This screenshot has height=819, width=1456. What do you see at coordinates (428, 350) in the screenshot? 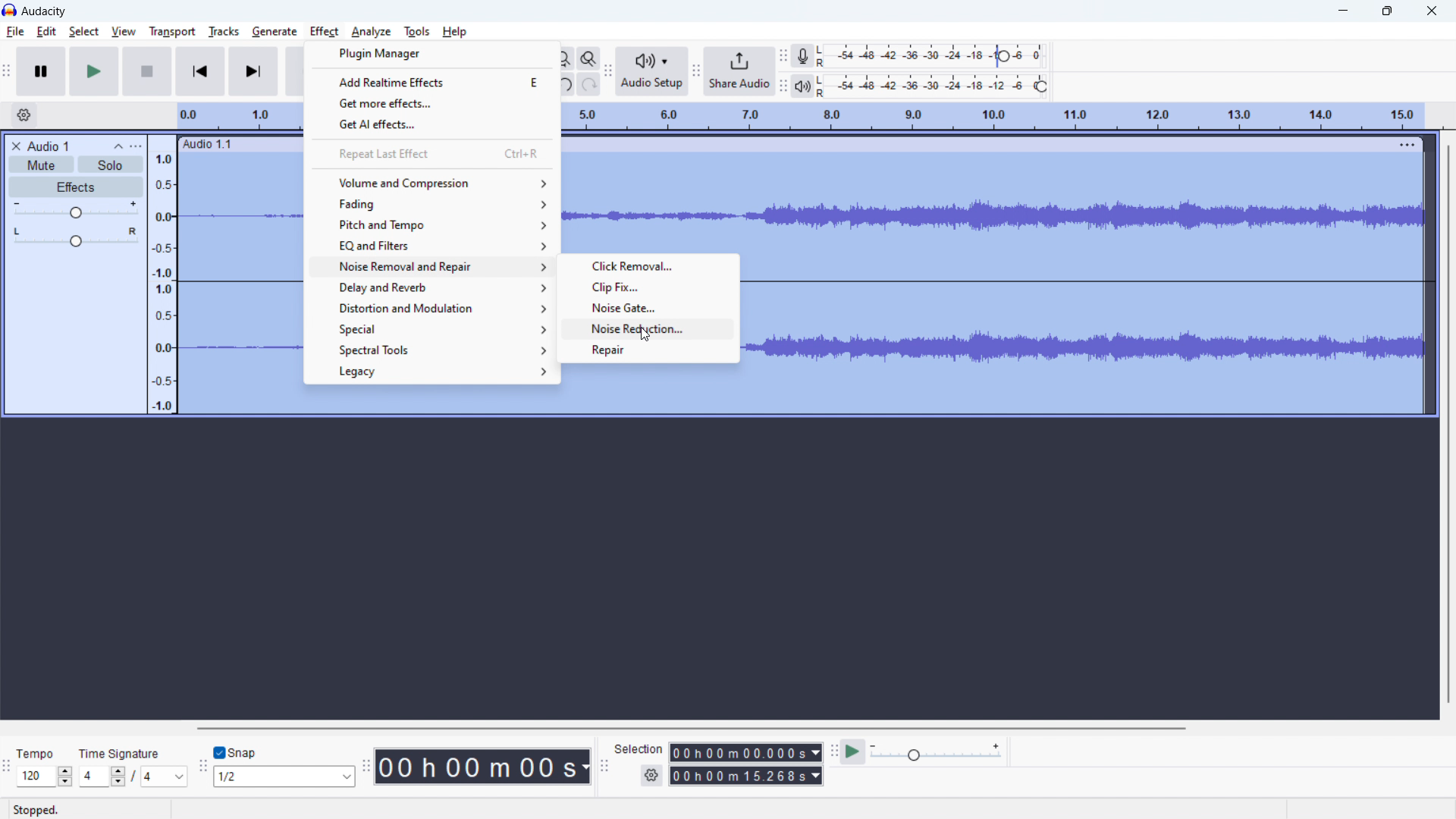
I see `spectral tools` at bounding box center [428, 350].